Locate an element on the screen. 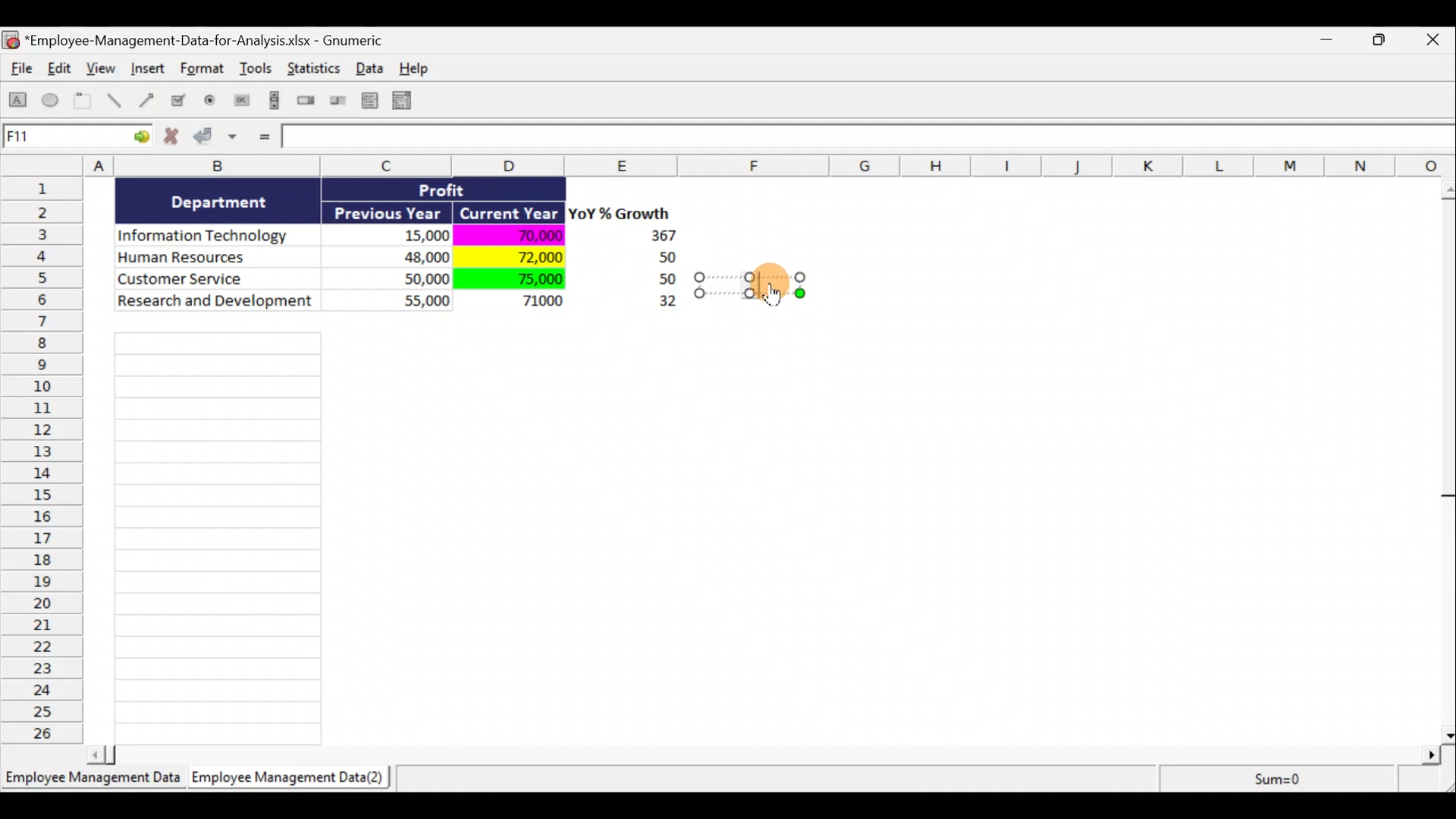 The height and width of the screenshot is (819, 1456). Create a rectangle object is located at coordinates (18, 102).